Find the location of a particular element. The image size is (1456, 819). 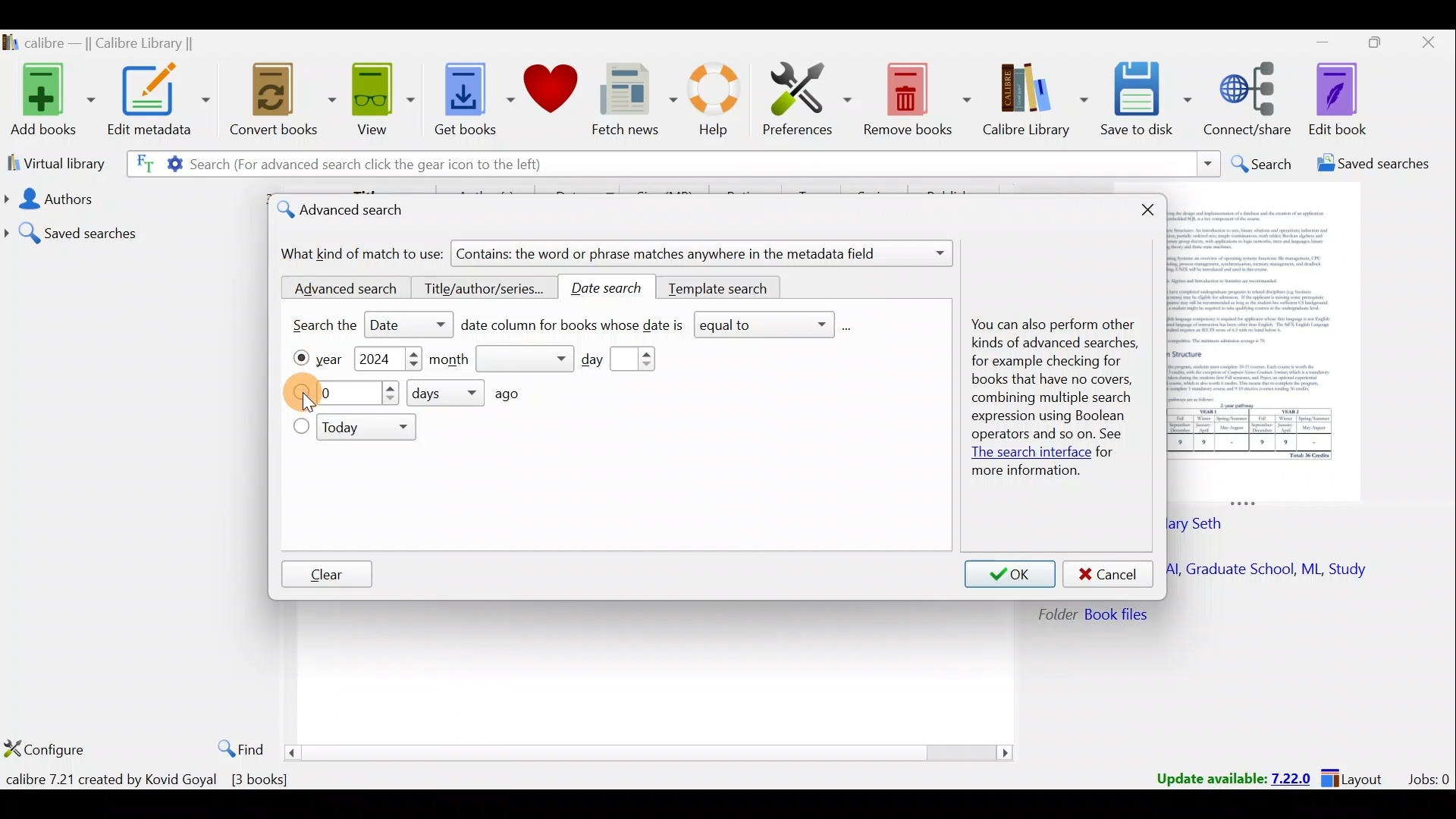

Find is located at coordinates (237, 746).